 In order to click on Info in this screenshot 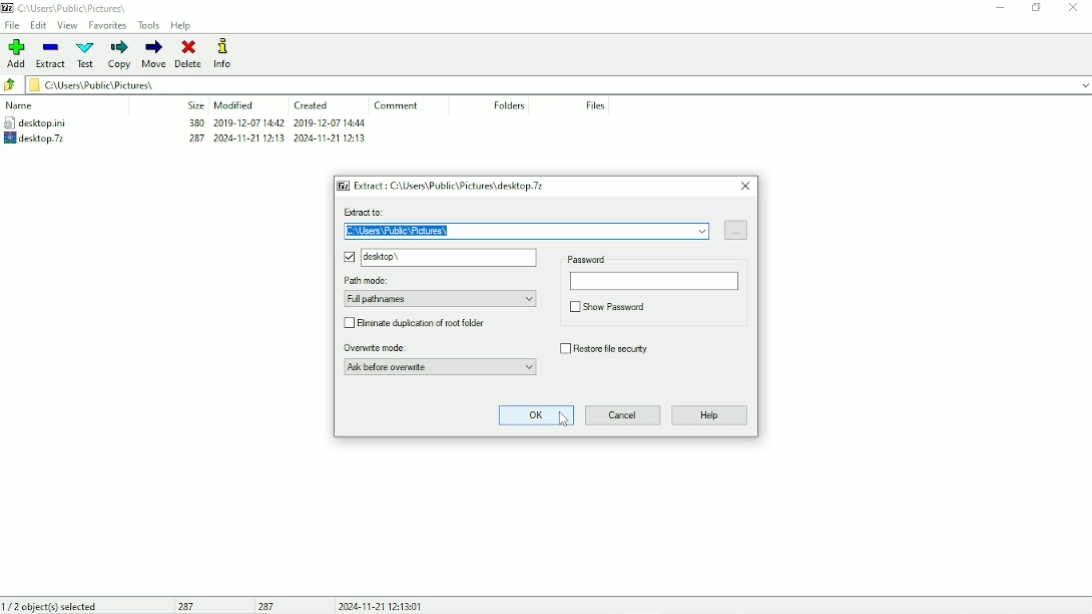, I will do `click(225, 53)`.